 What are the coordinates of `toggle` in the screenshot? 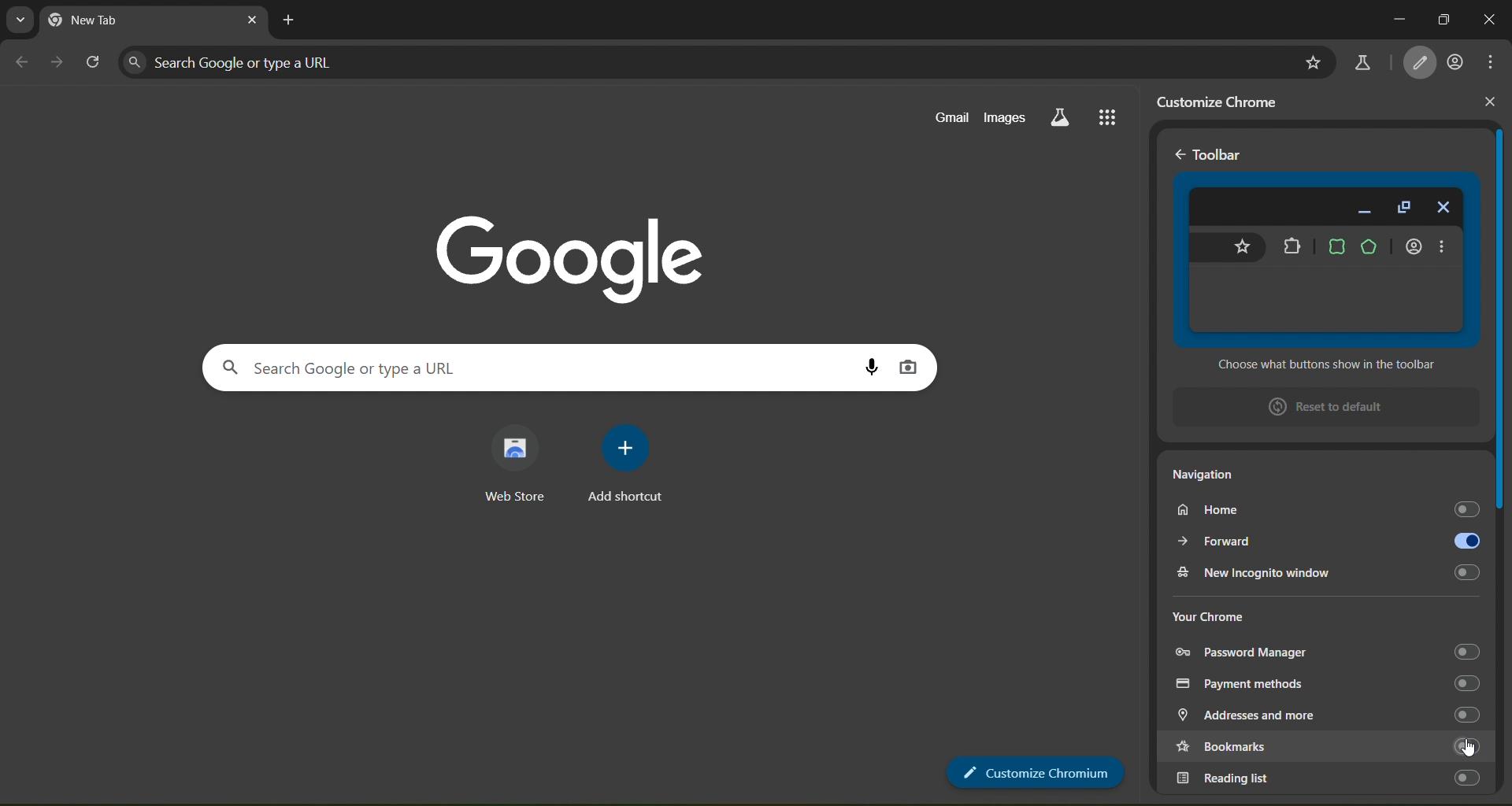 It's located at (1464, 747).